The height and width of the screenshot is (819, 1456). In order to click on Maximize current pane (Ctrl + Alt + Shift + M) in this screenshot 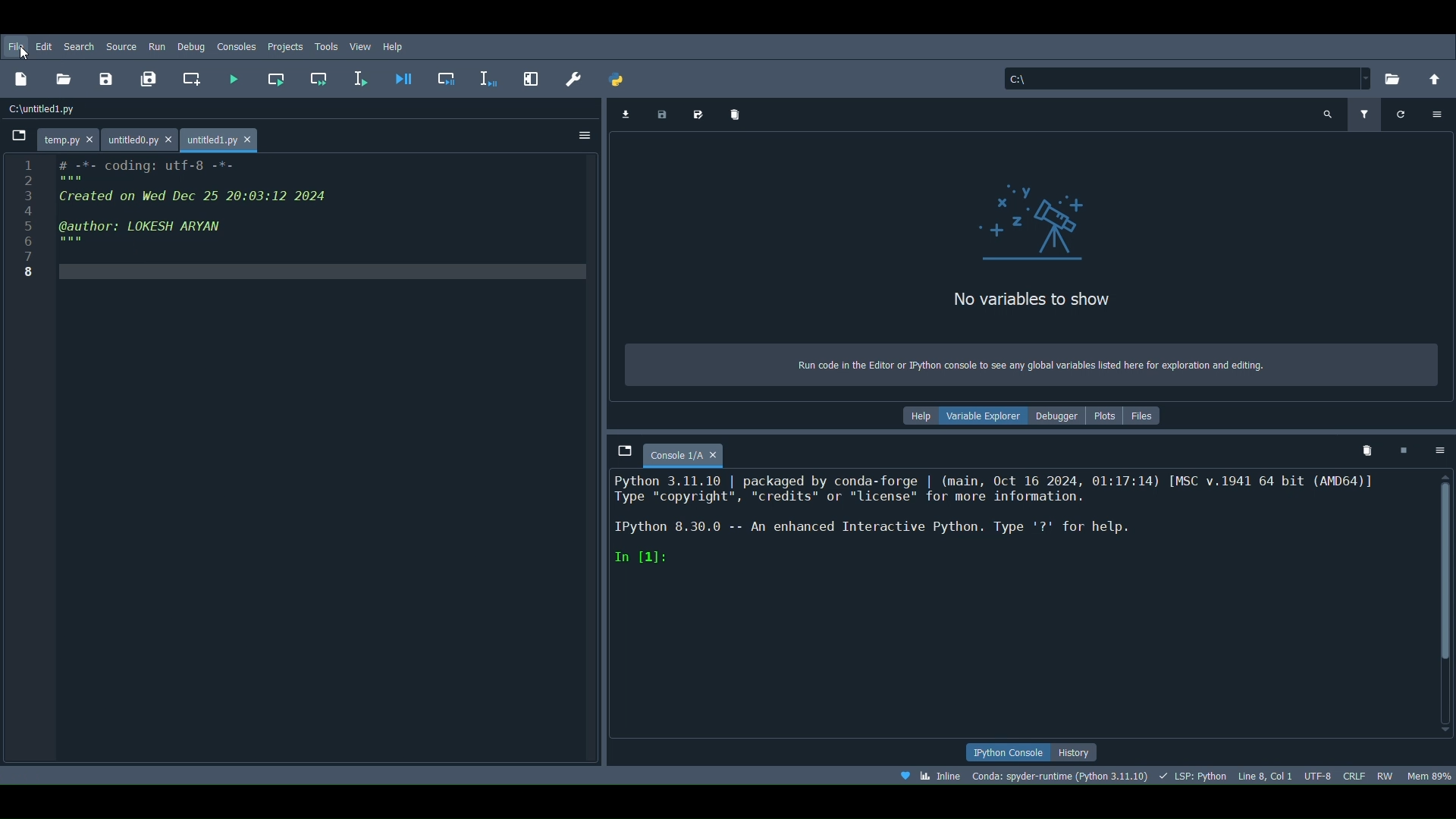, I will do `click(532, 74)`.